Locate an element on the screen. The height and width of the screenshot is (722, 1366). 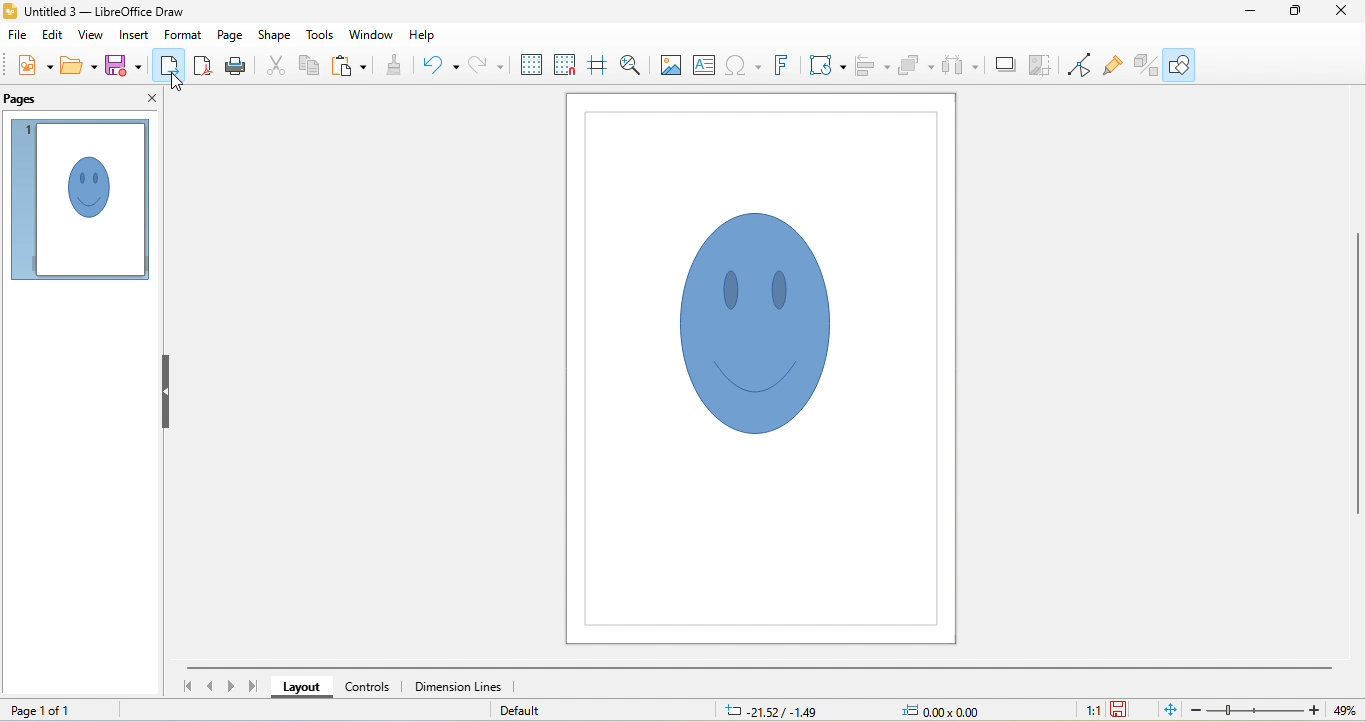
hide is located at coordinates (165, 388).